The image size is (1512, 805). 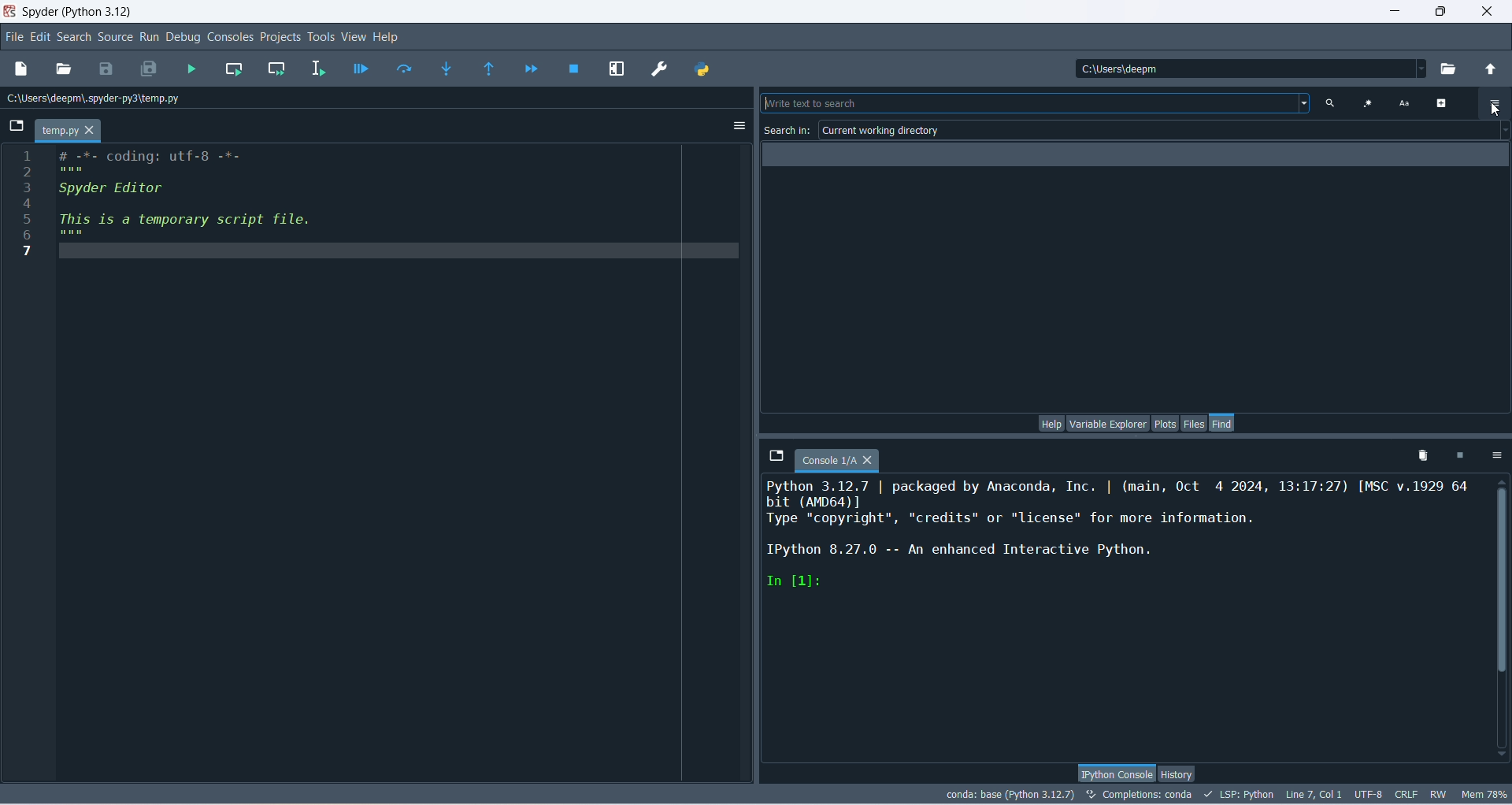 What do you see at coordinates (1248, 69) in the screenshot?
I see `location` at bounding box center [1248, 69].